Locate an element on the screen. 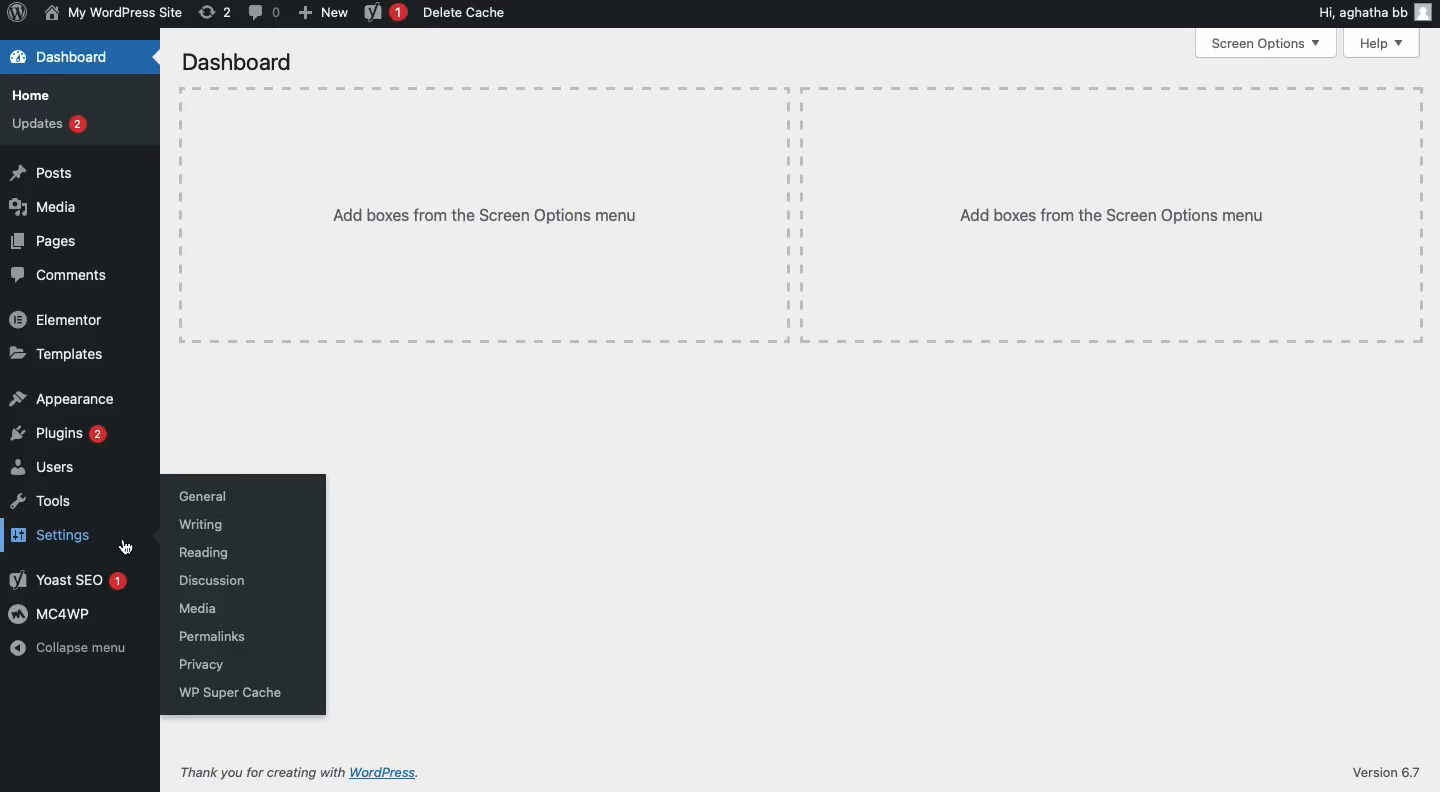 This screenshot has height=792, width=1440. (0) Comment is located at coordinates (263, 12).